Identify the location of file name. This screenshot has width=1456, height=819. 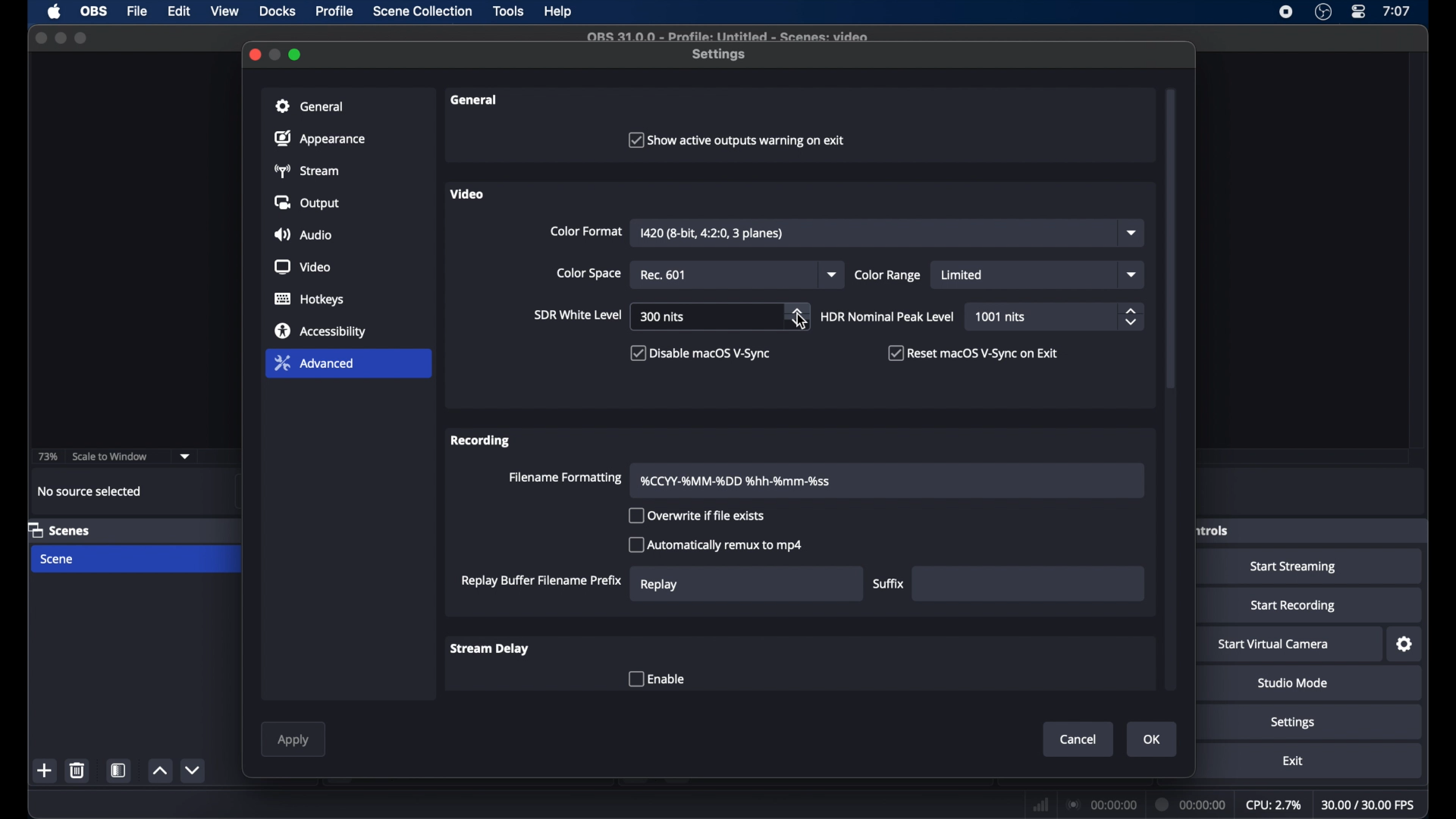
(728, 36).